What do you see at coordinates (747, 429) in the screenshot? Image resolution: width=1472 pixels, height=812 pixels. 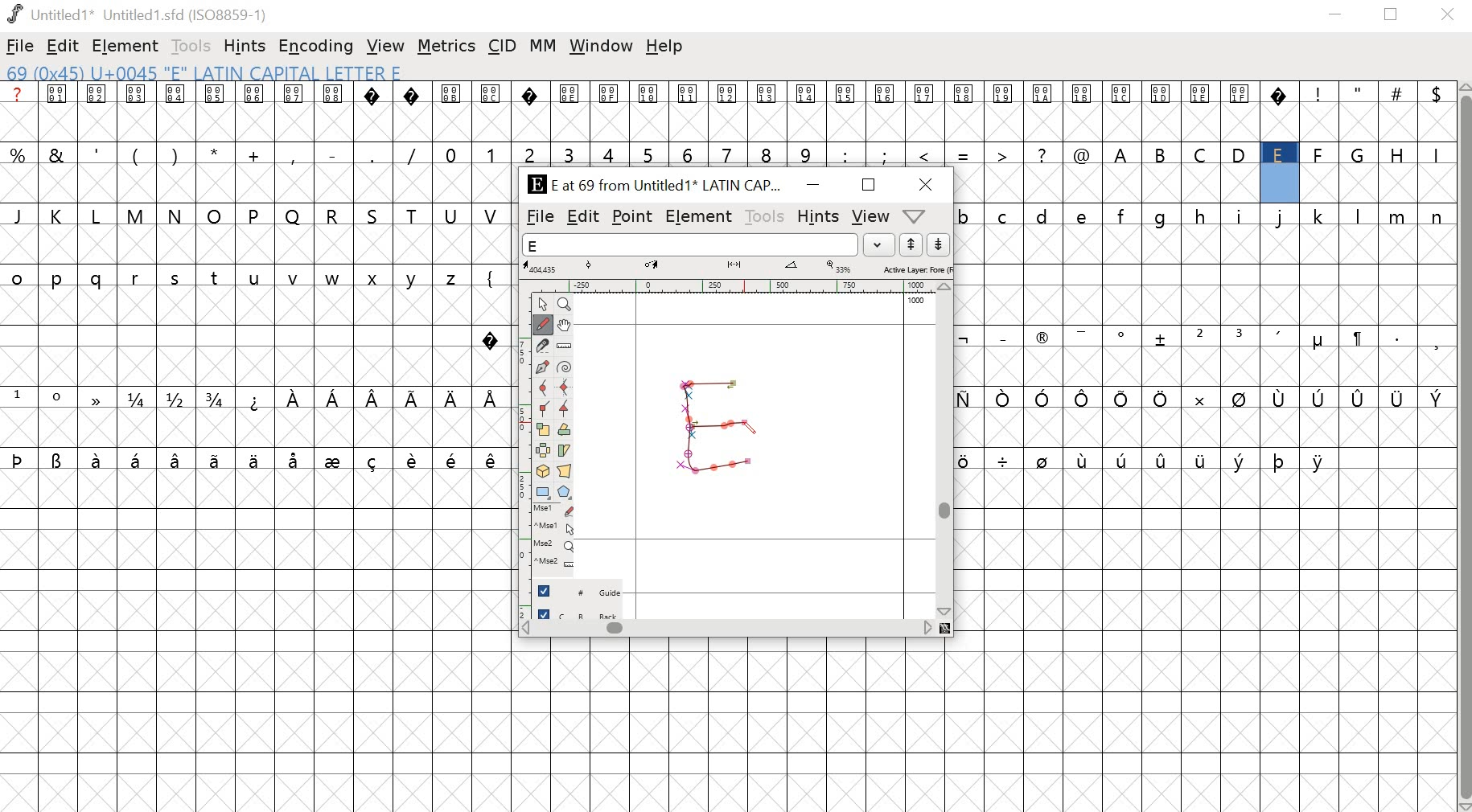 I see `PEN` at bounding box center [747, 429].